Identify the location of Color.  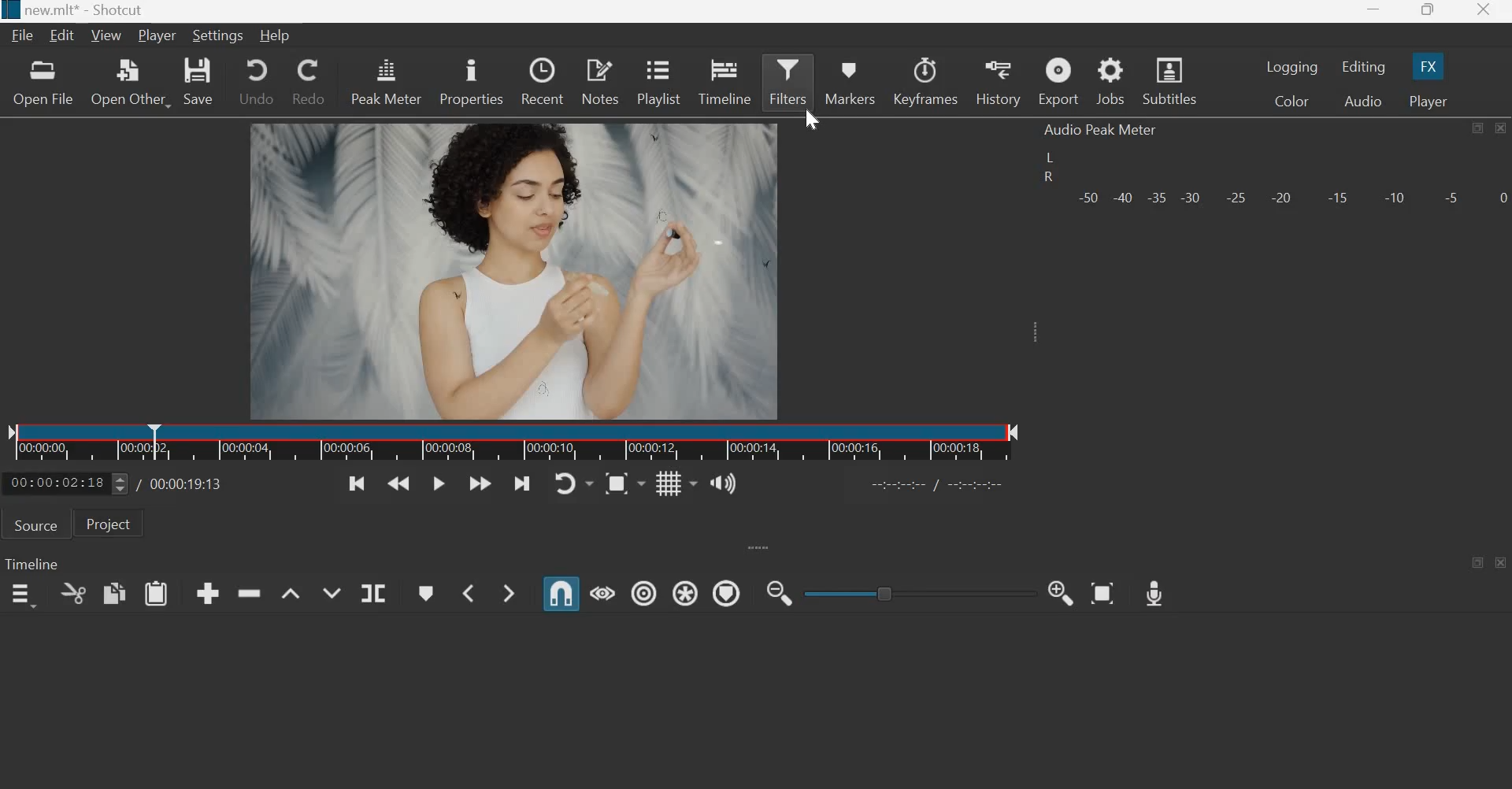
(1291, 101).